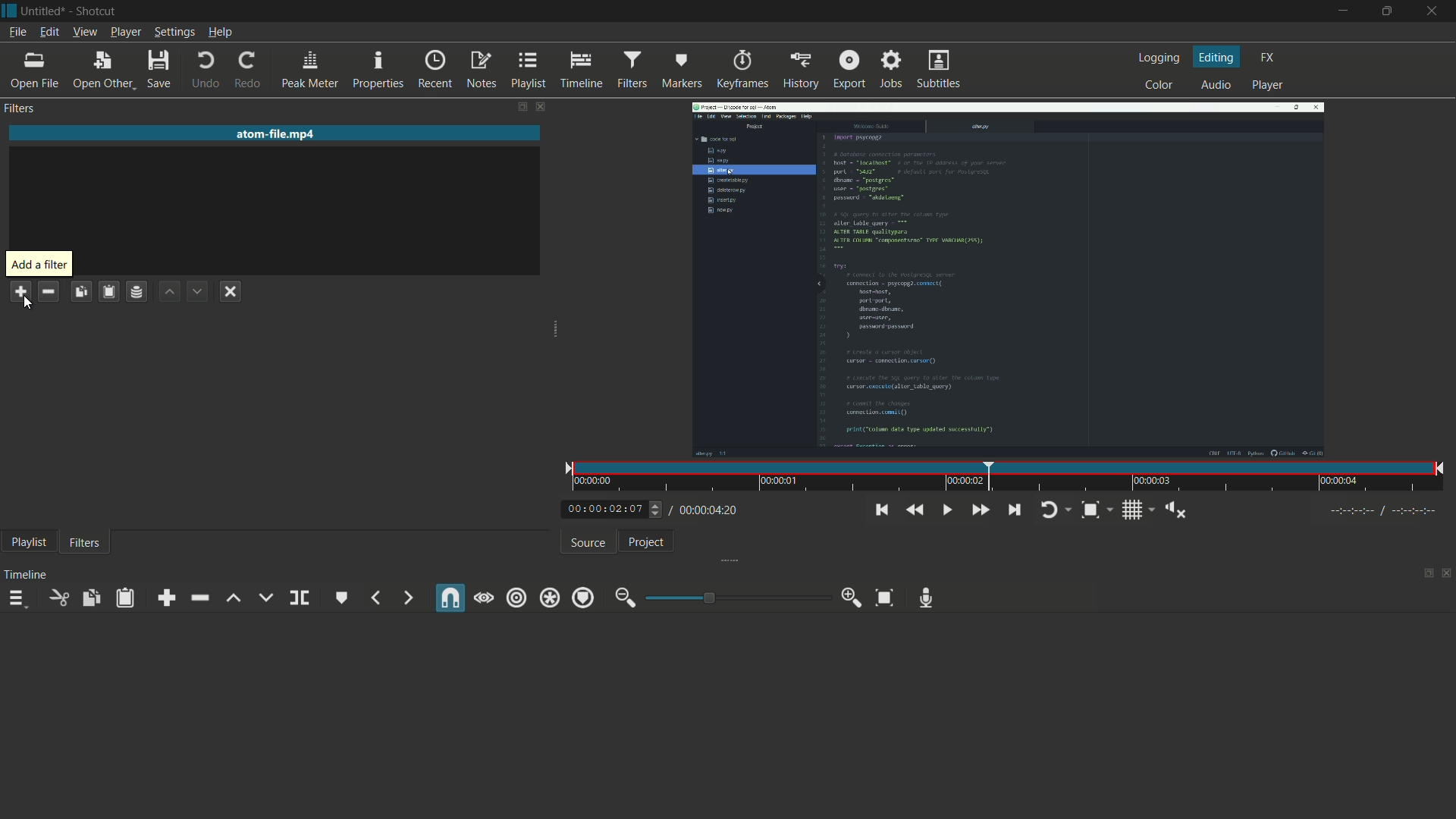  I want to click on copy checked filters, so click(81, 292).